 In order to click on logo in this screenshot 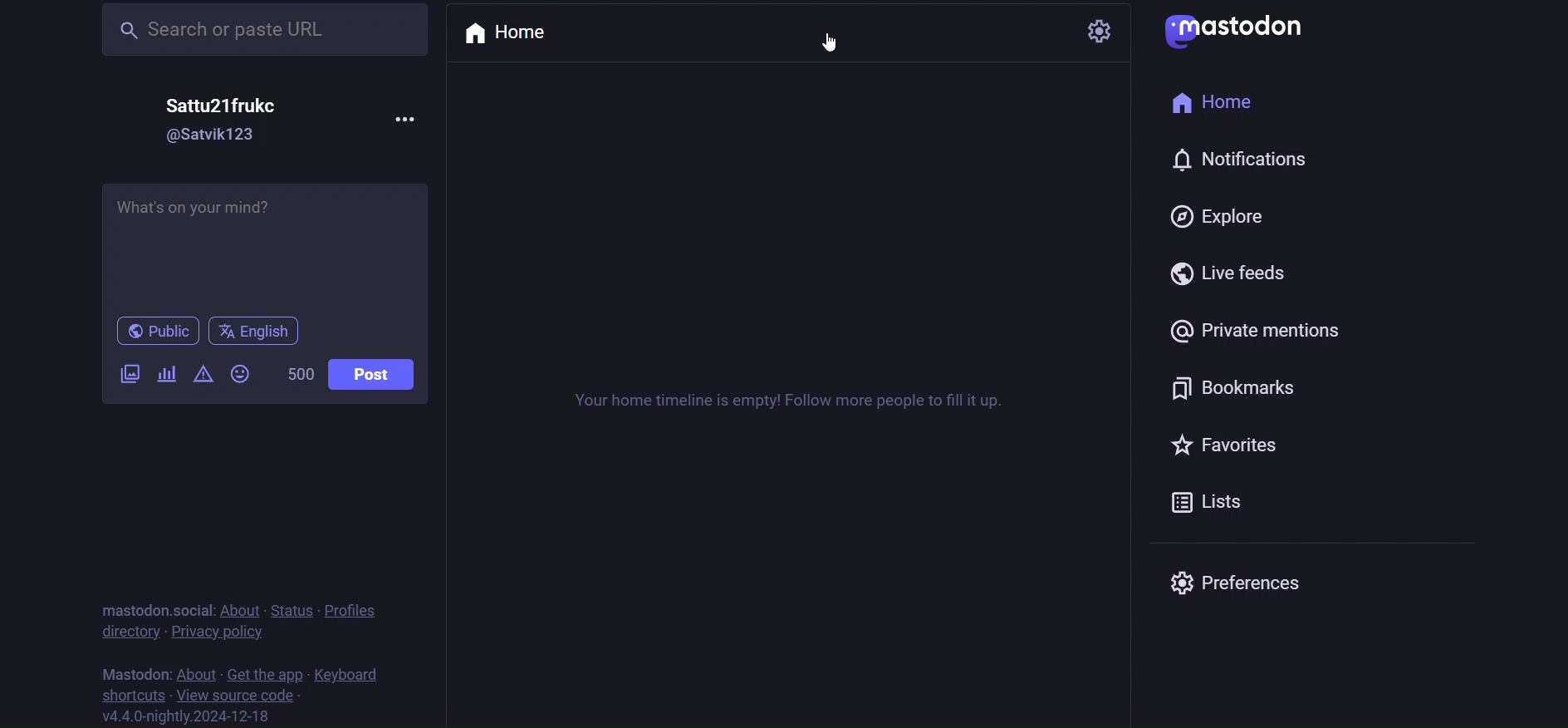, I will do `click(1248, 32)`.